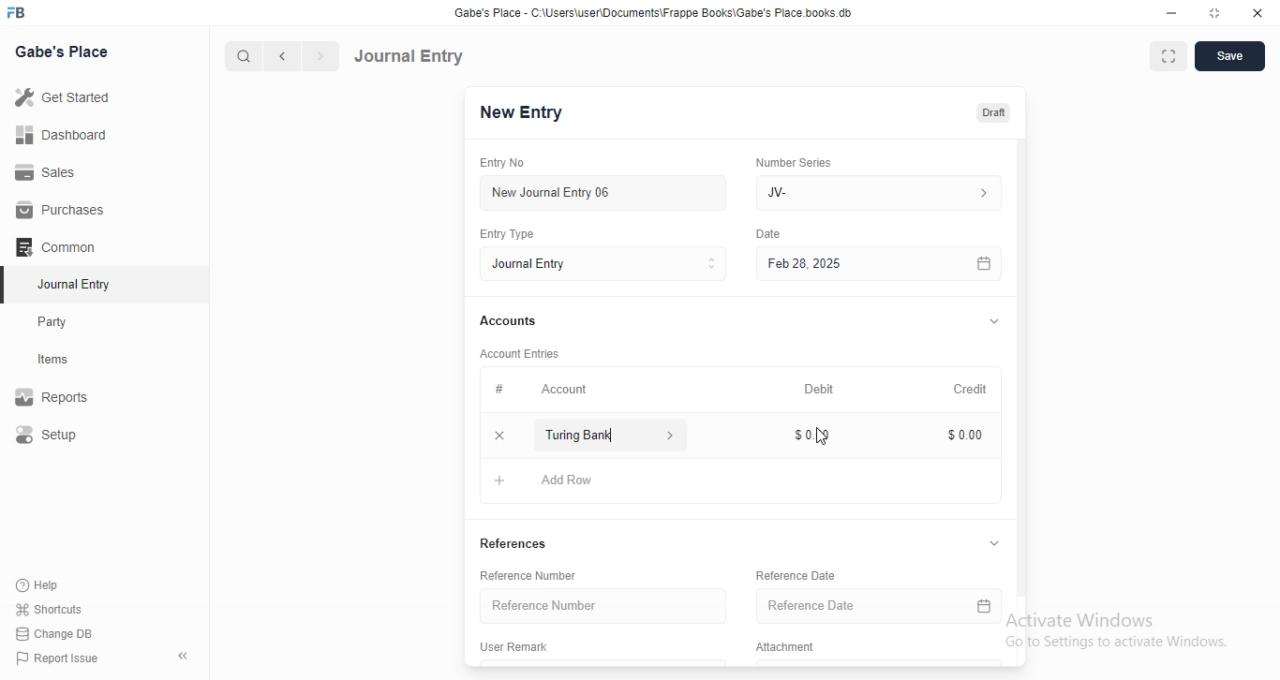 This screenshot has height=680, width=1280. What do you see at coordinates (62, 609) in the screenshot?
I see `‘Shortcuts` at bounding box center [62, 609].